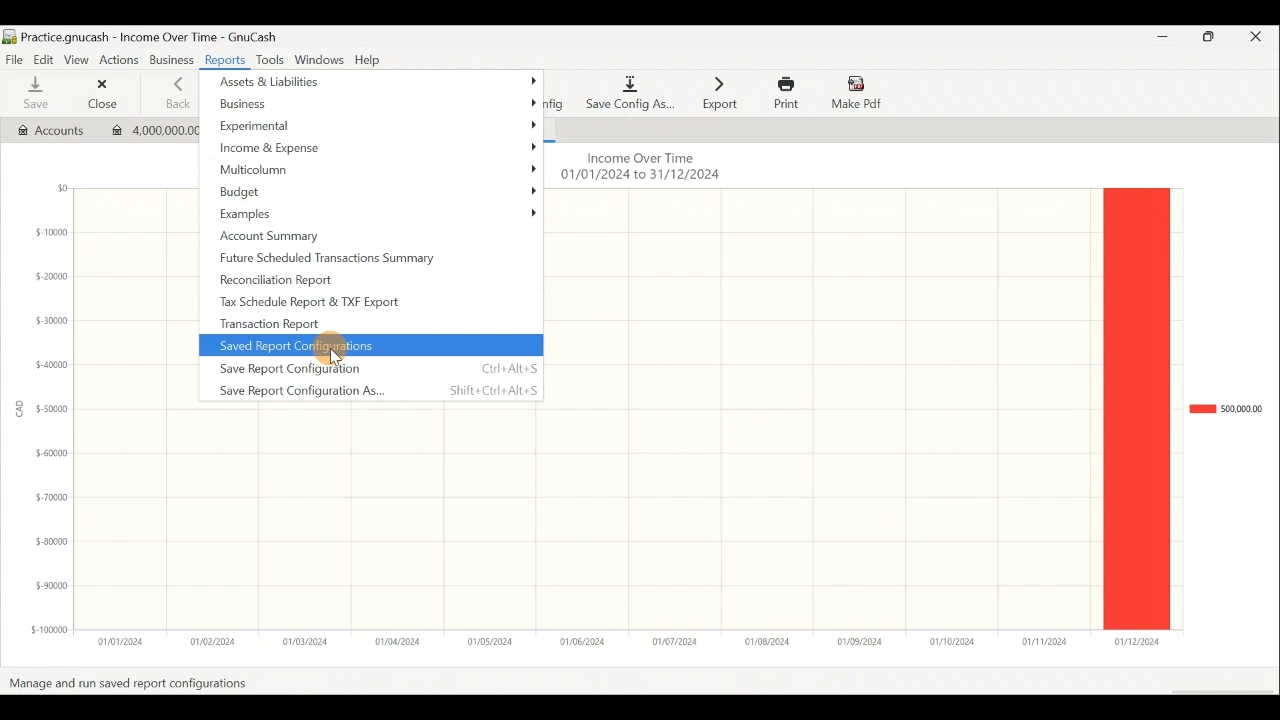 The image size is (1280, 720). What do you see at coordinates (377, 105) in the screenshot?
I see `Business` at bounding box center [377, 105].